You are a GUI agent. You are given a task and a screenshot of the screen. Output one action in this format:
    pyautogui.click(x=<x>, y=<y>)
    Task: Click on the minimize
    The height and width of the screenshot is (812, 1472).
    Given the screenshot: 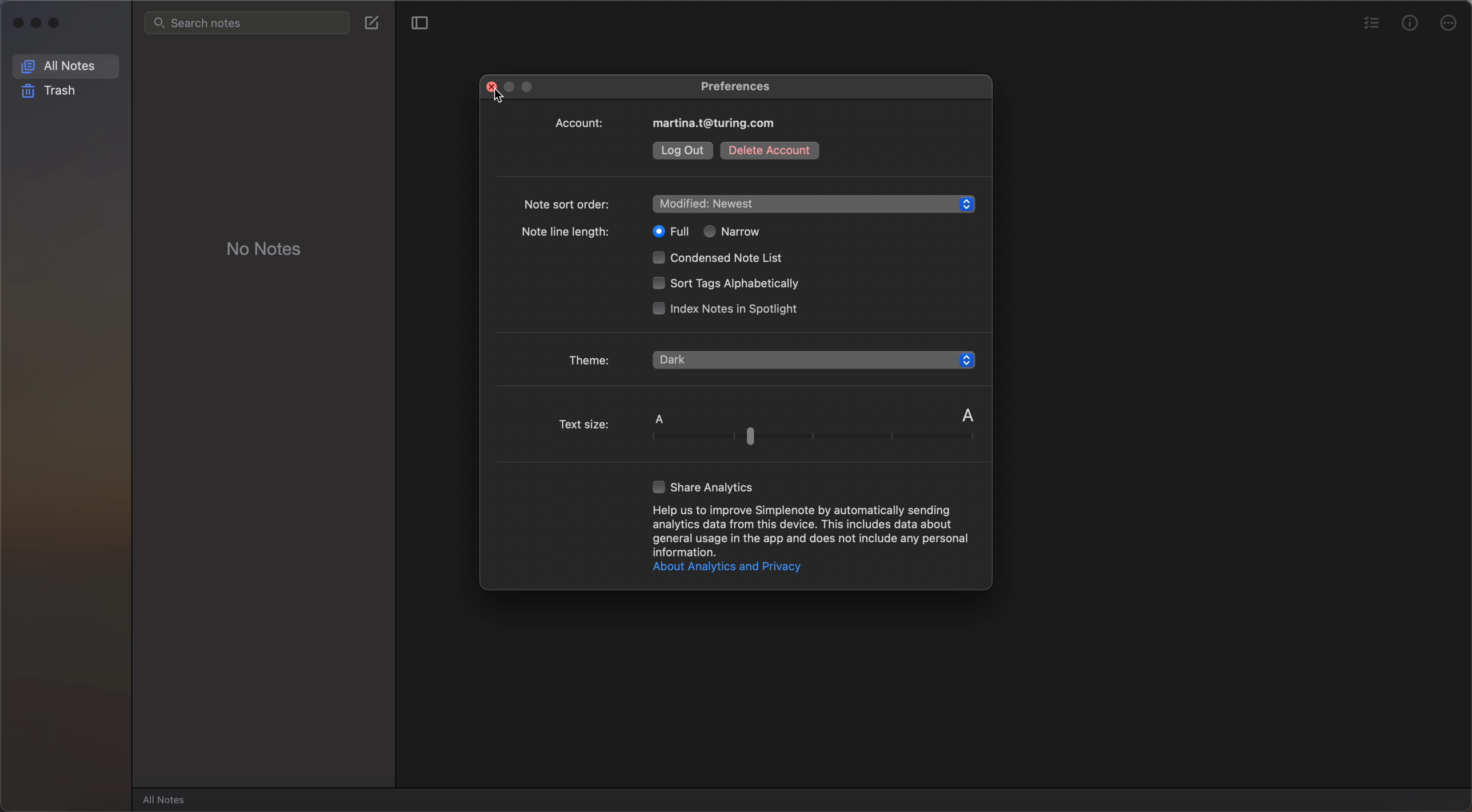 What is the action you would take?
    pyautogui.click(x=39, y=24)
    